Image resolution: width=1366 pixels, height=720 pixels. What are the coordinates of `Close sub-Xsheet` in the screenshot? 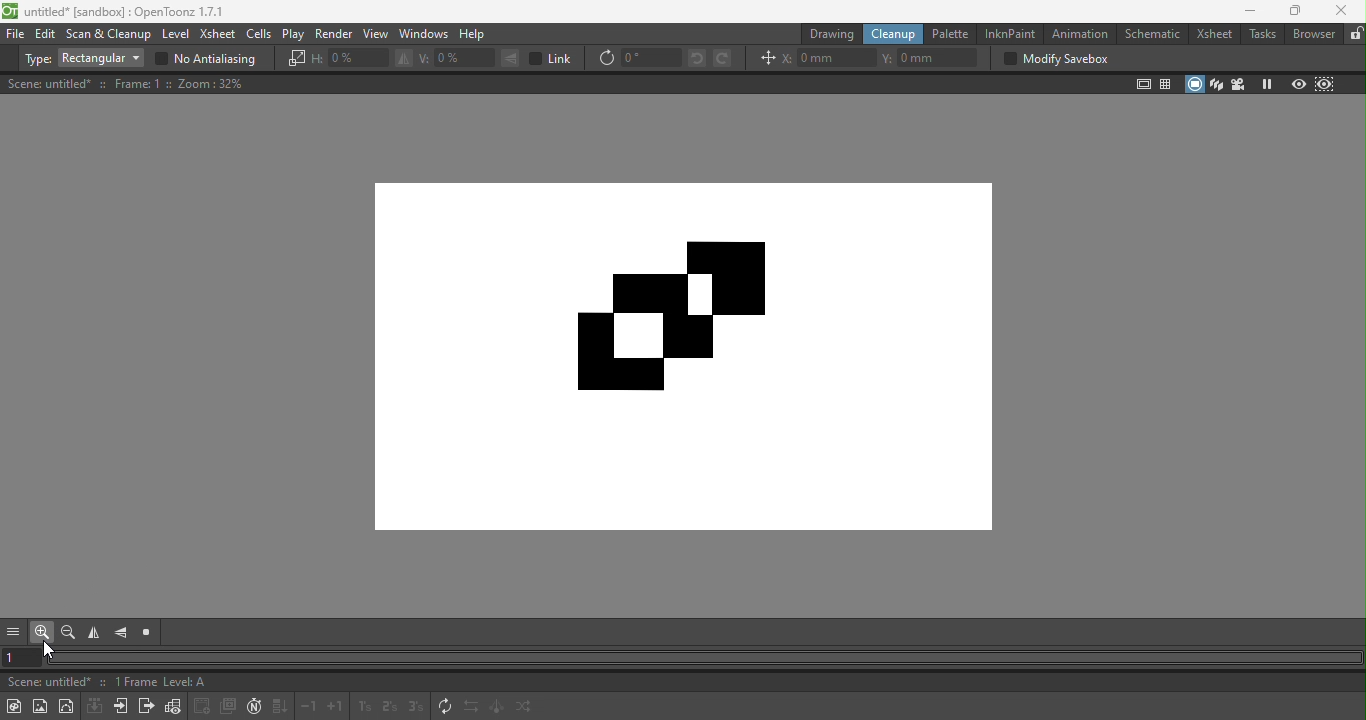 It's located at (144, 708).